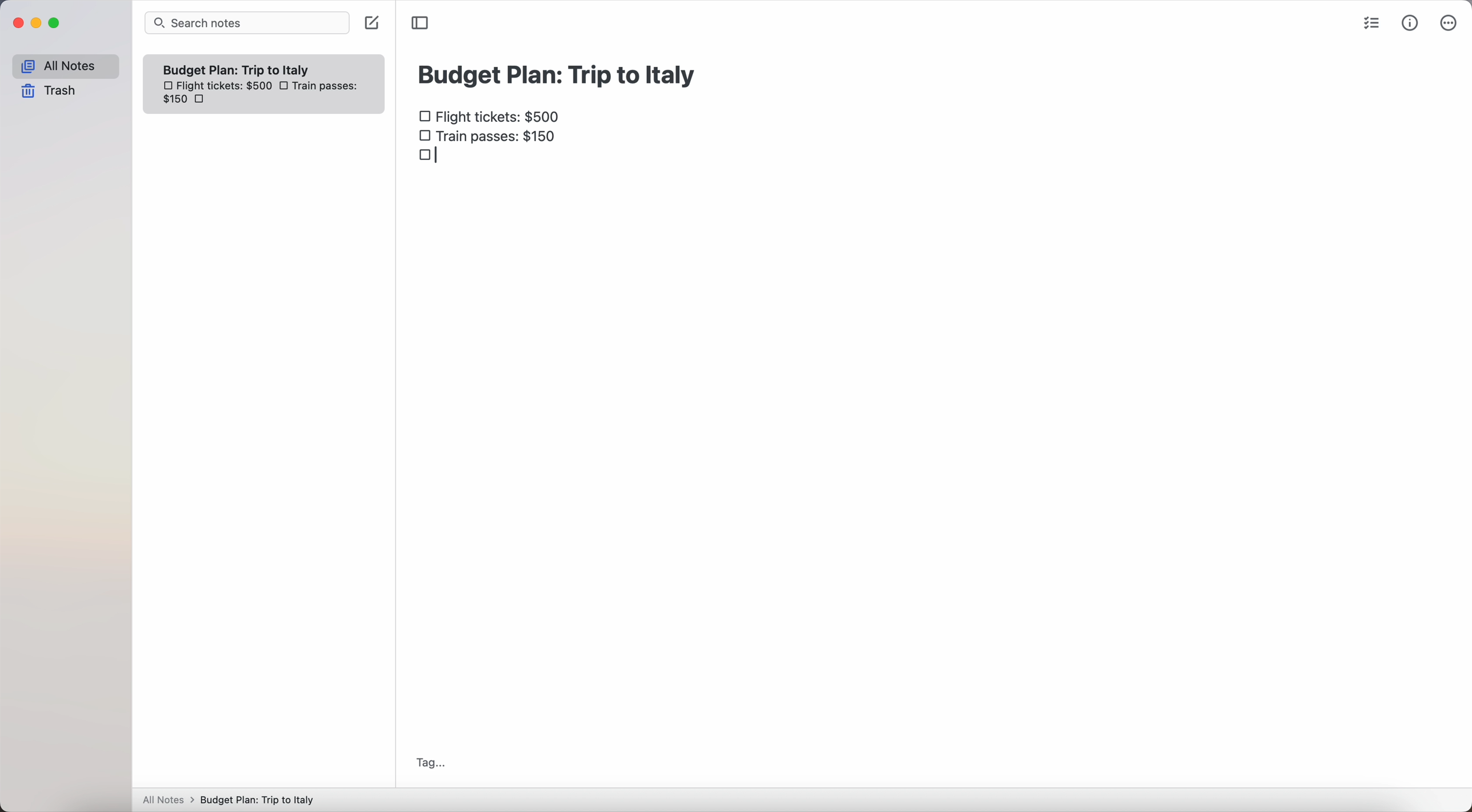 This screenshot has width=1472, height=812. What do you see at coordinates (174, 101) in the screenshot?
I see `150` at bounding box center [174, 101].